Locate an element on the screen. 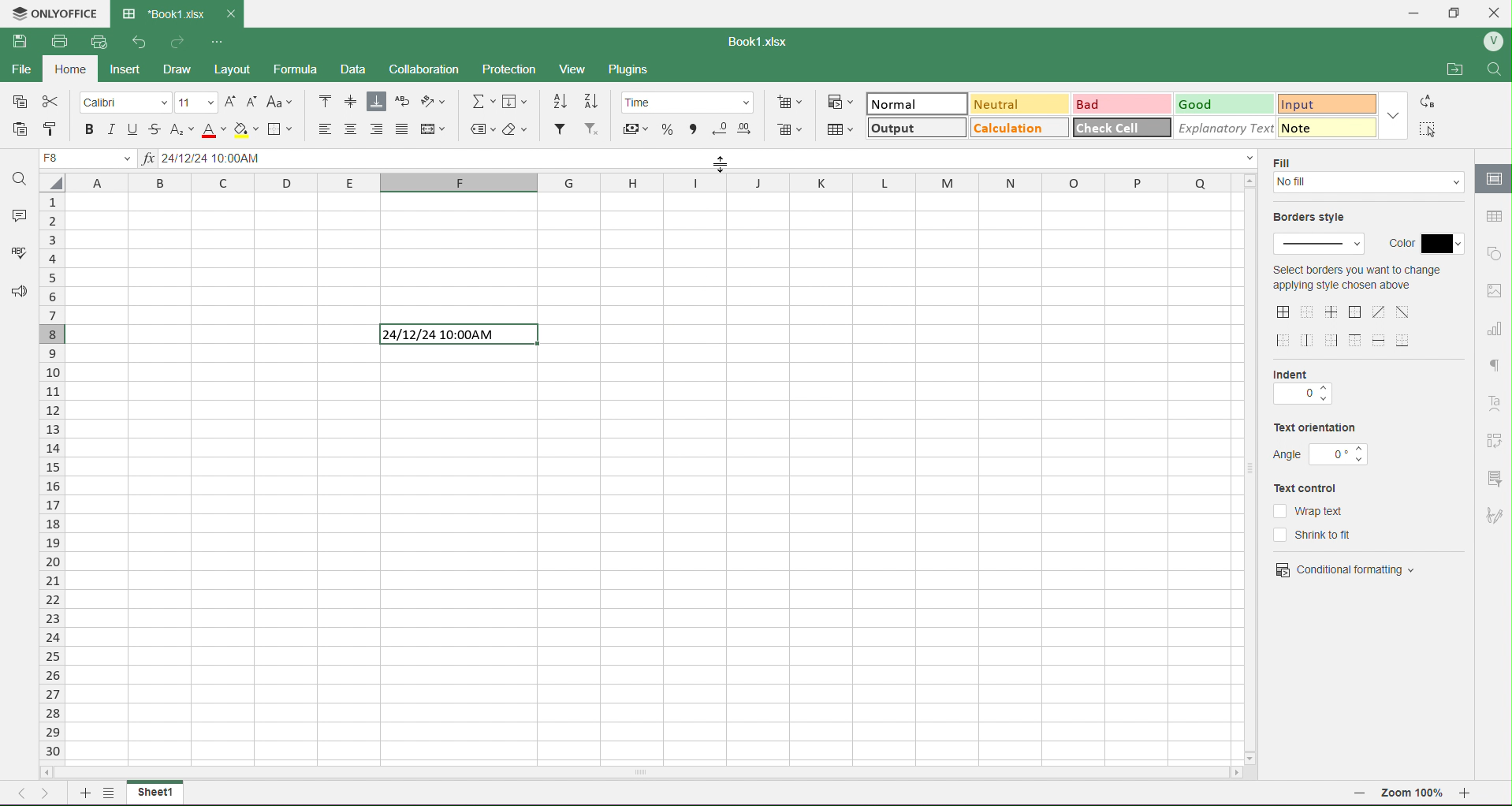  drawing is located at coordinates (1492, 180).